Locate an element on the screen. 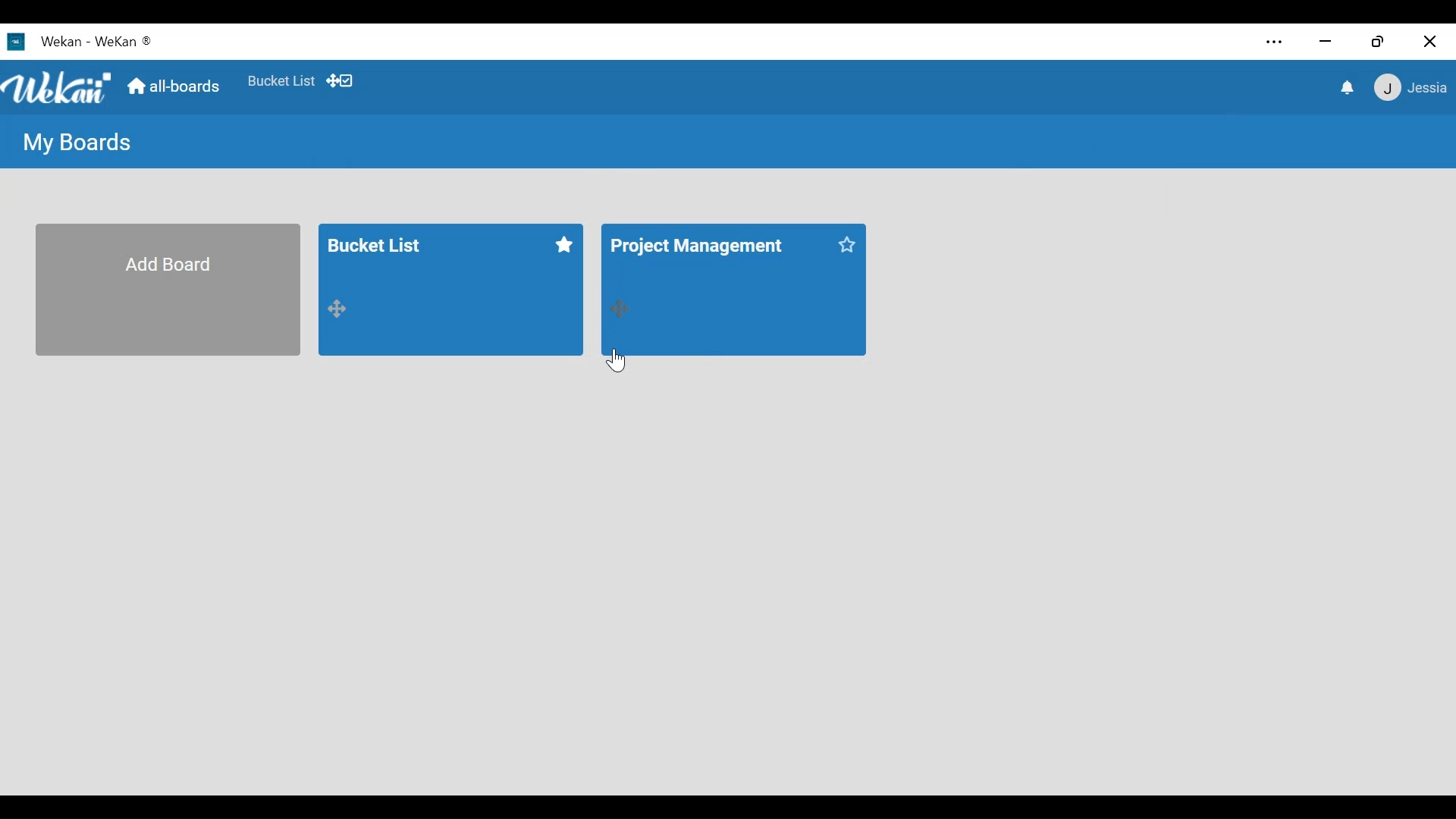  all-boards is located at coordinates (180, 88).